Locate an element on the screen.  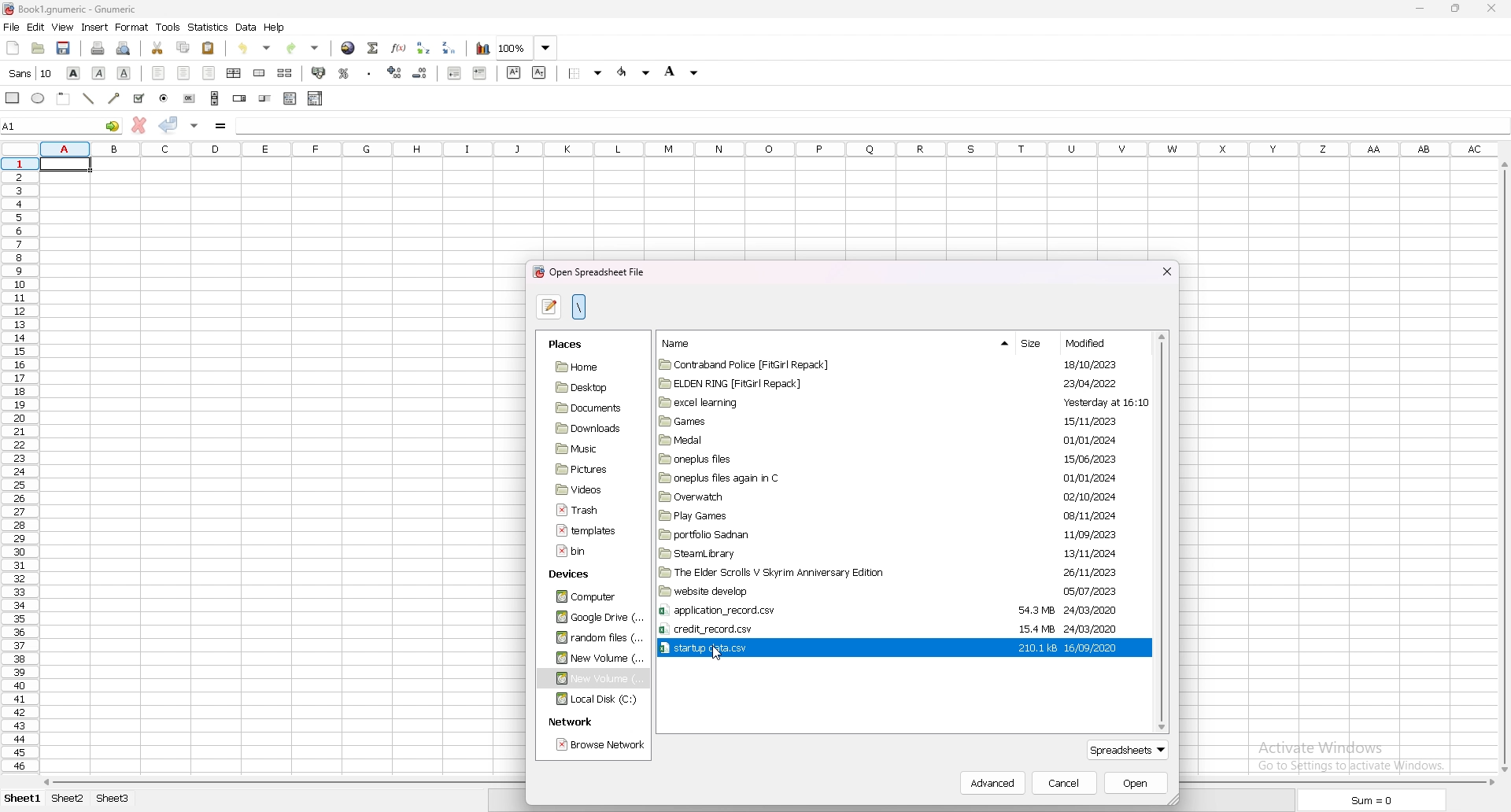
decrease decimals is located at coordinates (422, 72).